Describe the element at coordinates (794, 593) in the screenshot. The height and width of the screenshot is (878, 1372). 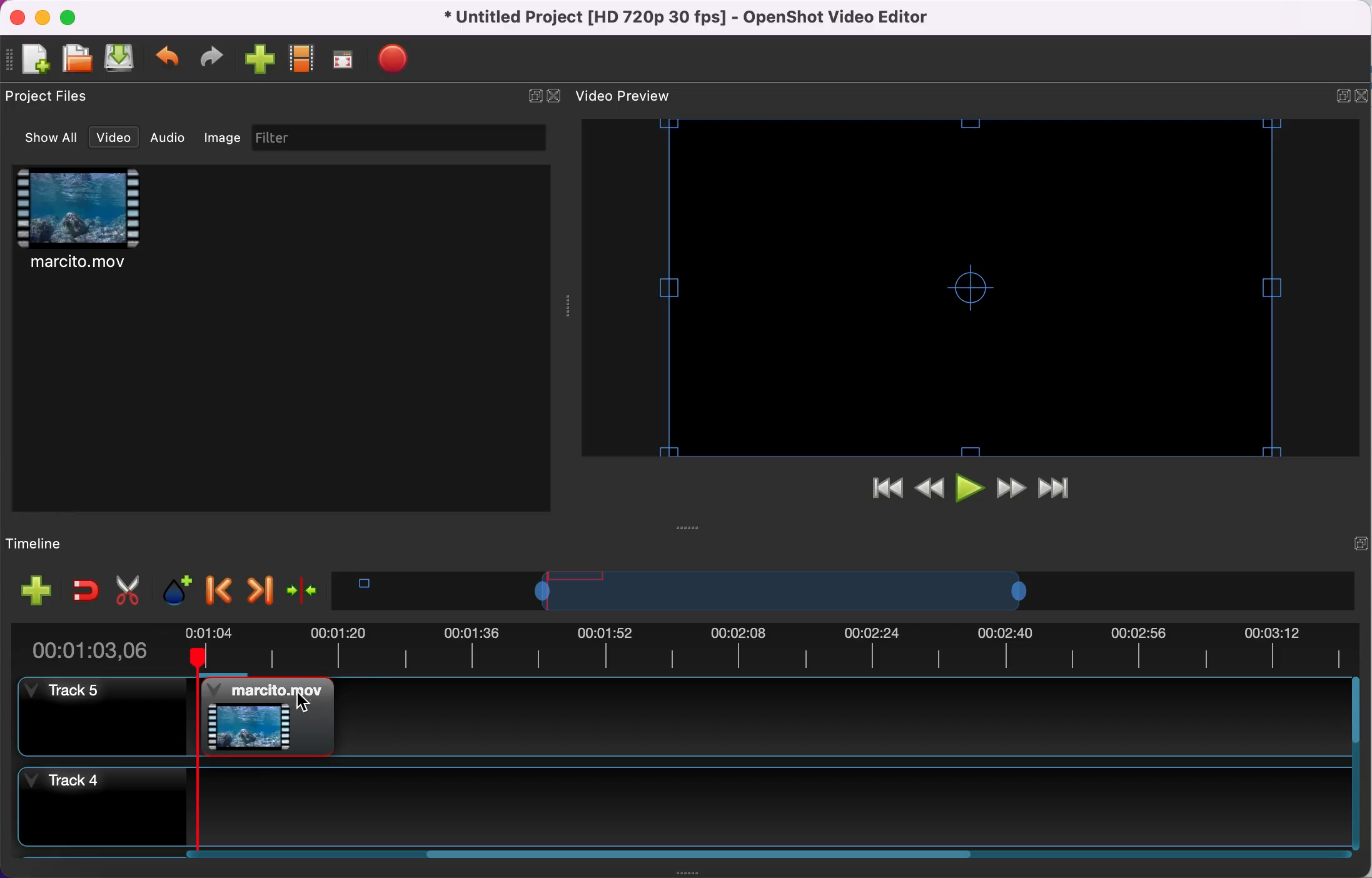
I see `timeline` at that location.